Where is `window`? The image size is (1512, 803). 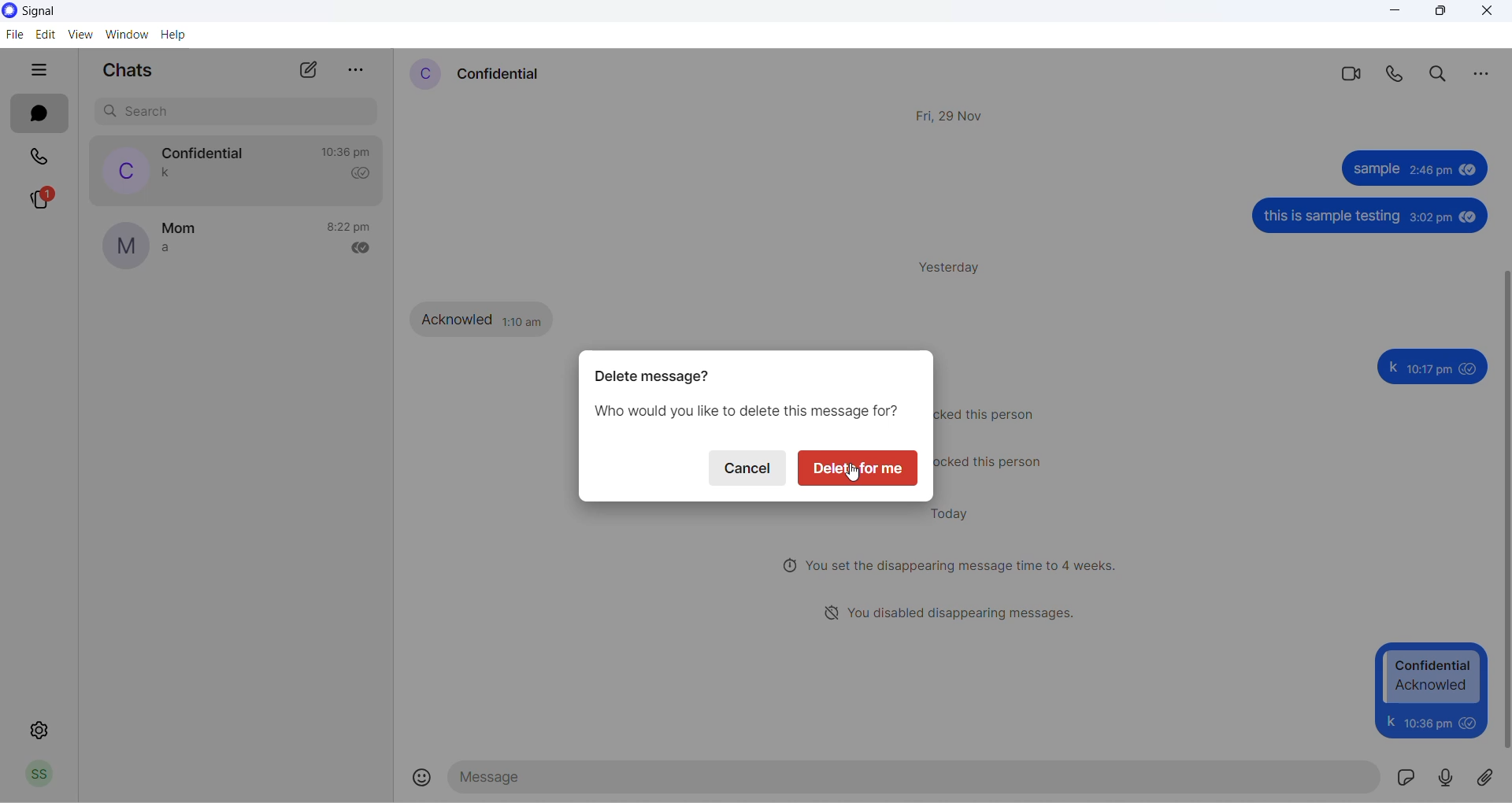 window is located at coordinates (126, 37).